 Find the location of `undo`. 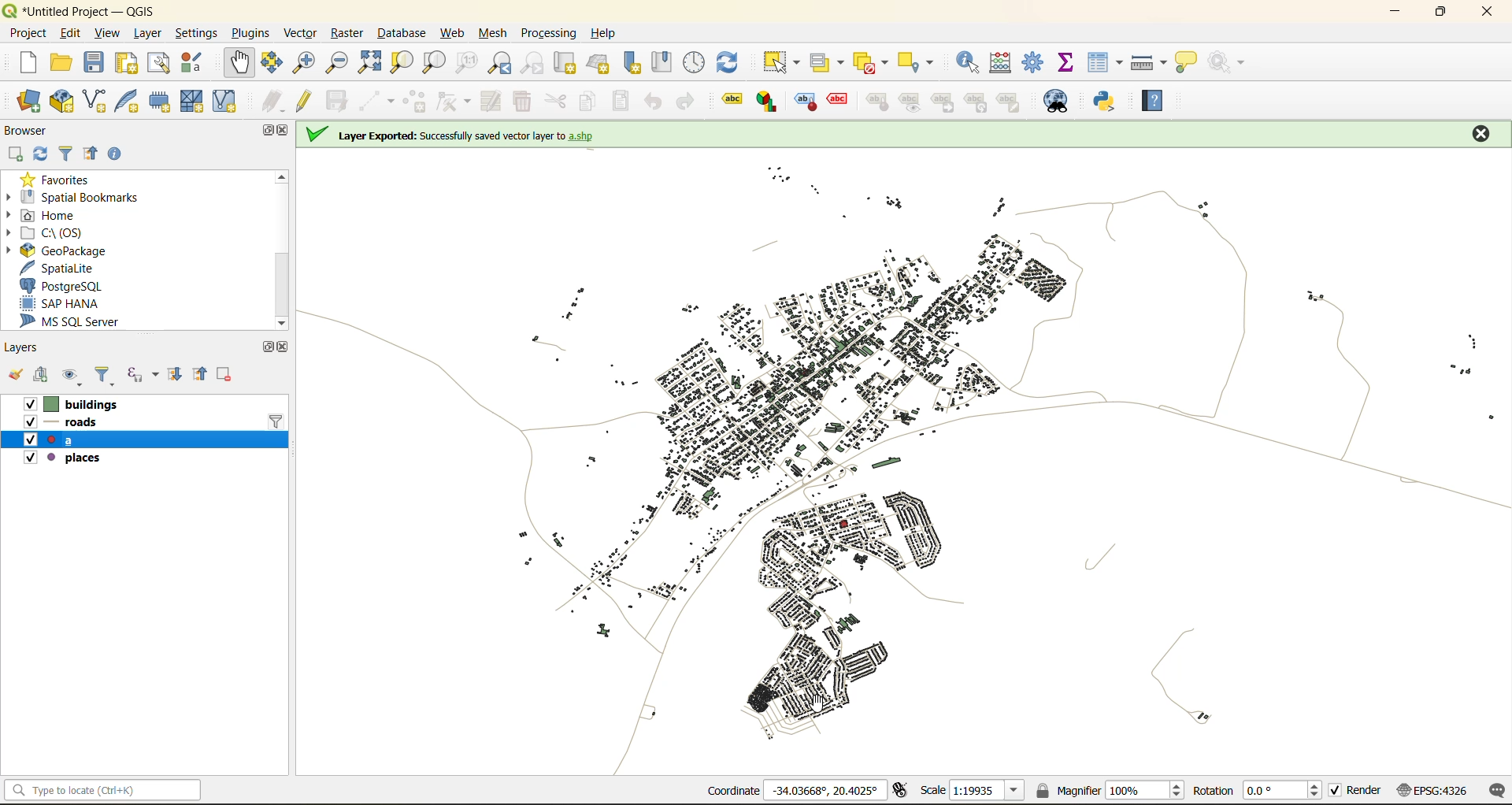

undo is located at coordinates (652, 101).